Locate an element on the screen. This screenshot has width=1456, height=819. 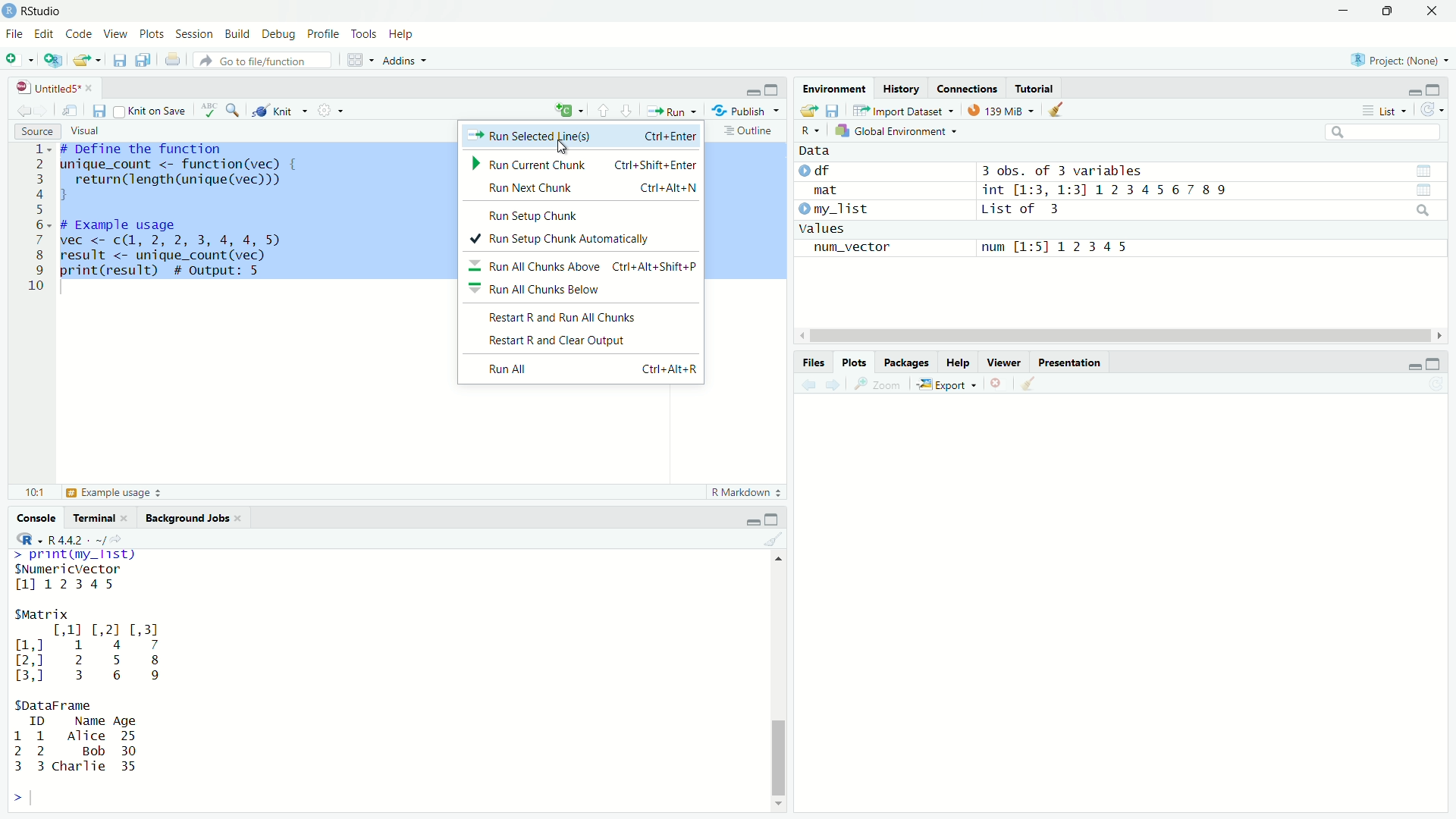
Ctri+AIt+R is located at coordinates (668, 369).